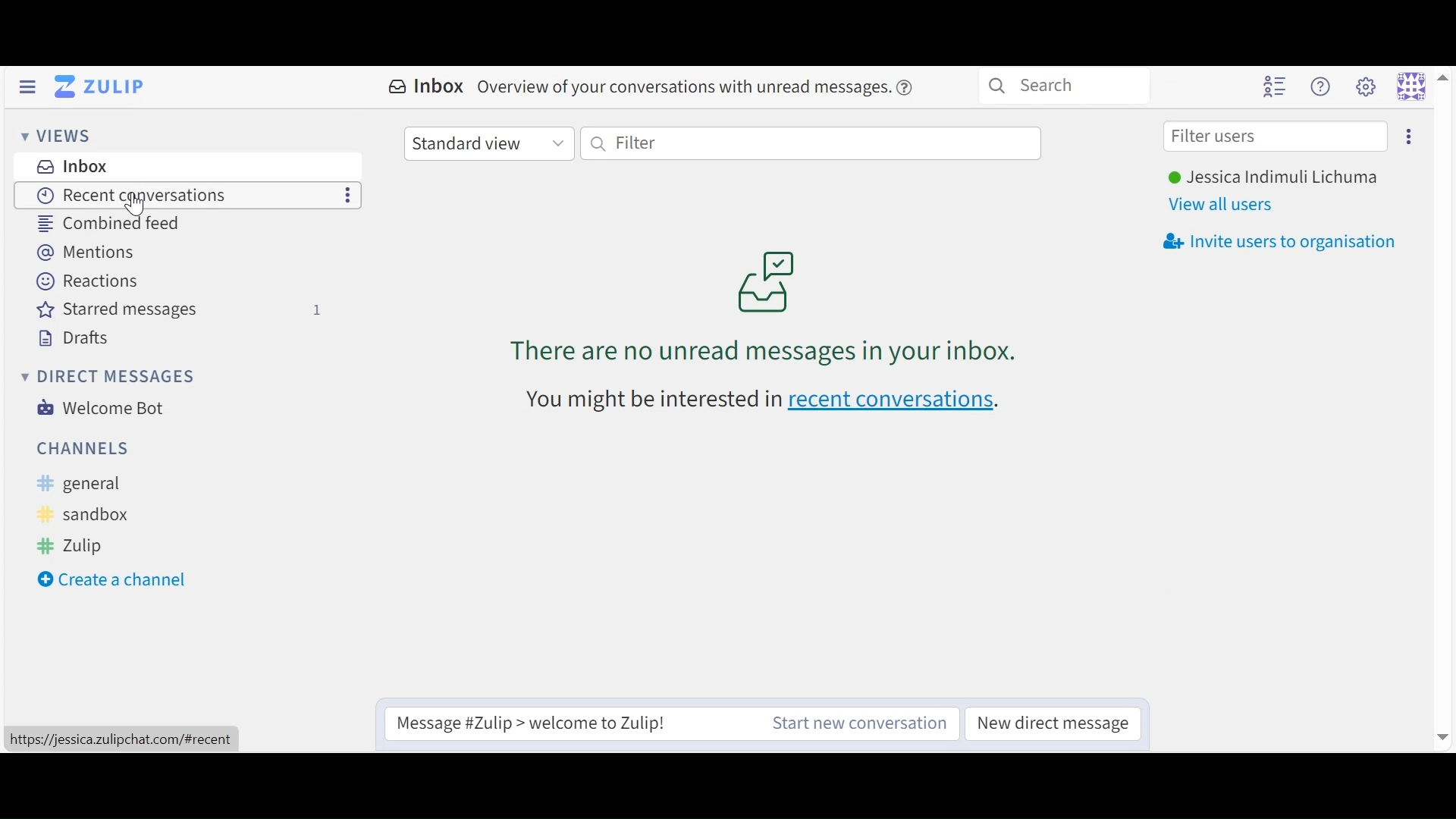 This screenshot has height=819, width=1456. What do you see at coordinates (905, 88) in the screenshot?
I see `help` at bounding box center [905, 88].